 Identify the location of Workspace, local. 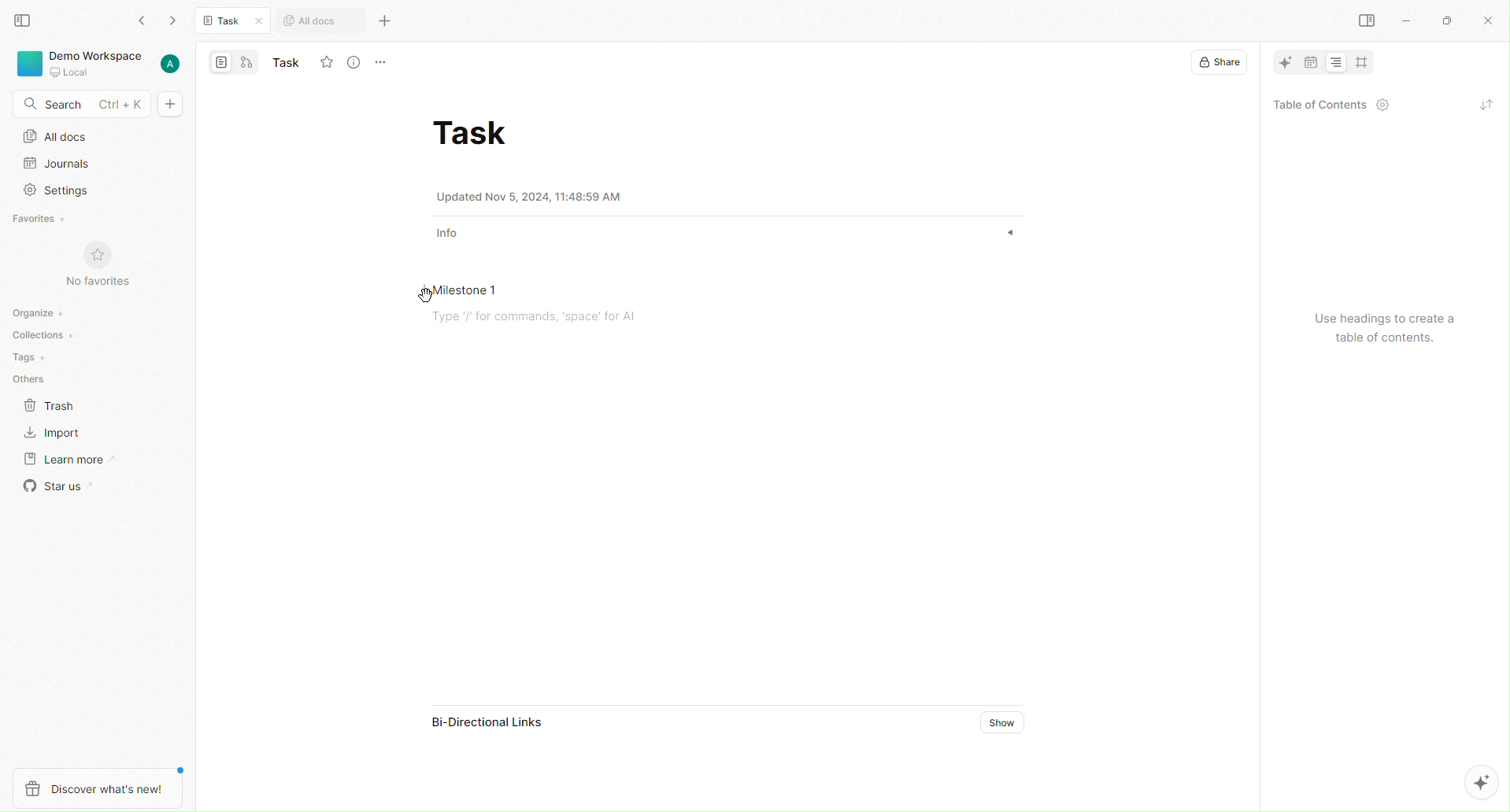
(82, 64).